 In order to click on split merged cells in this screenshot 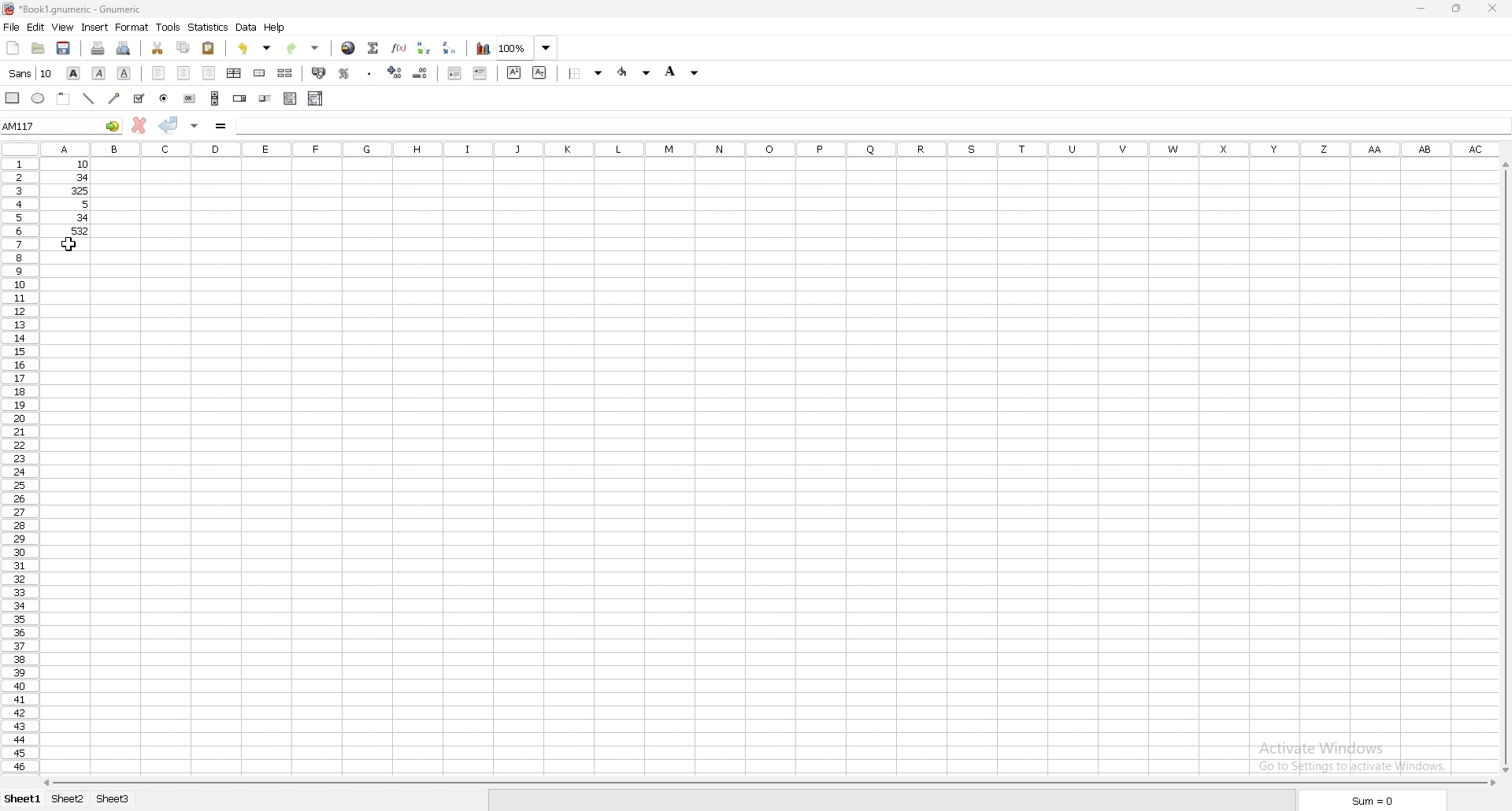, I will do `click(285, 72)`.